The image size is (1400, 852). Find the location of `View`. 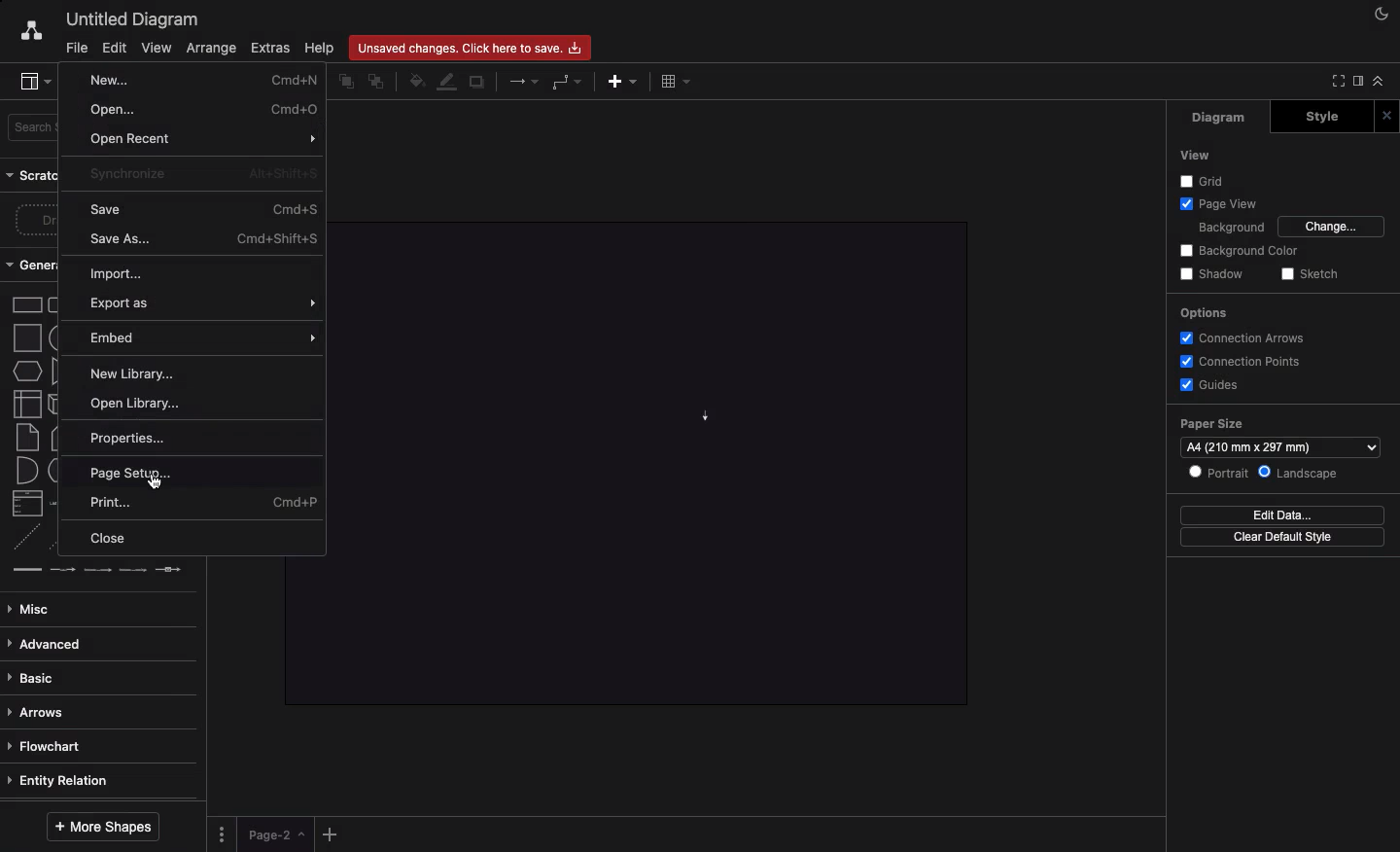

View is located at coordinates (157, 47).